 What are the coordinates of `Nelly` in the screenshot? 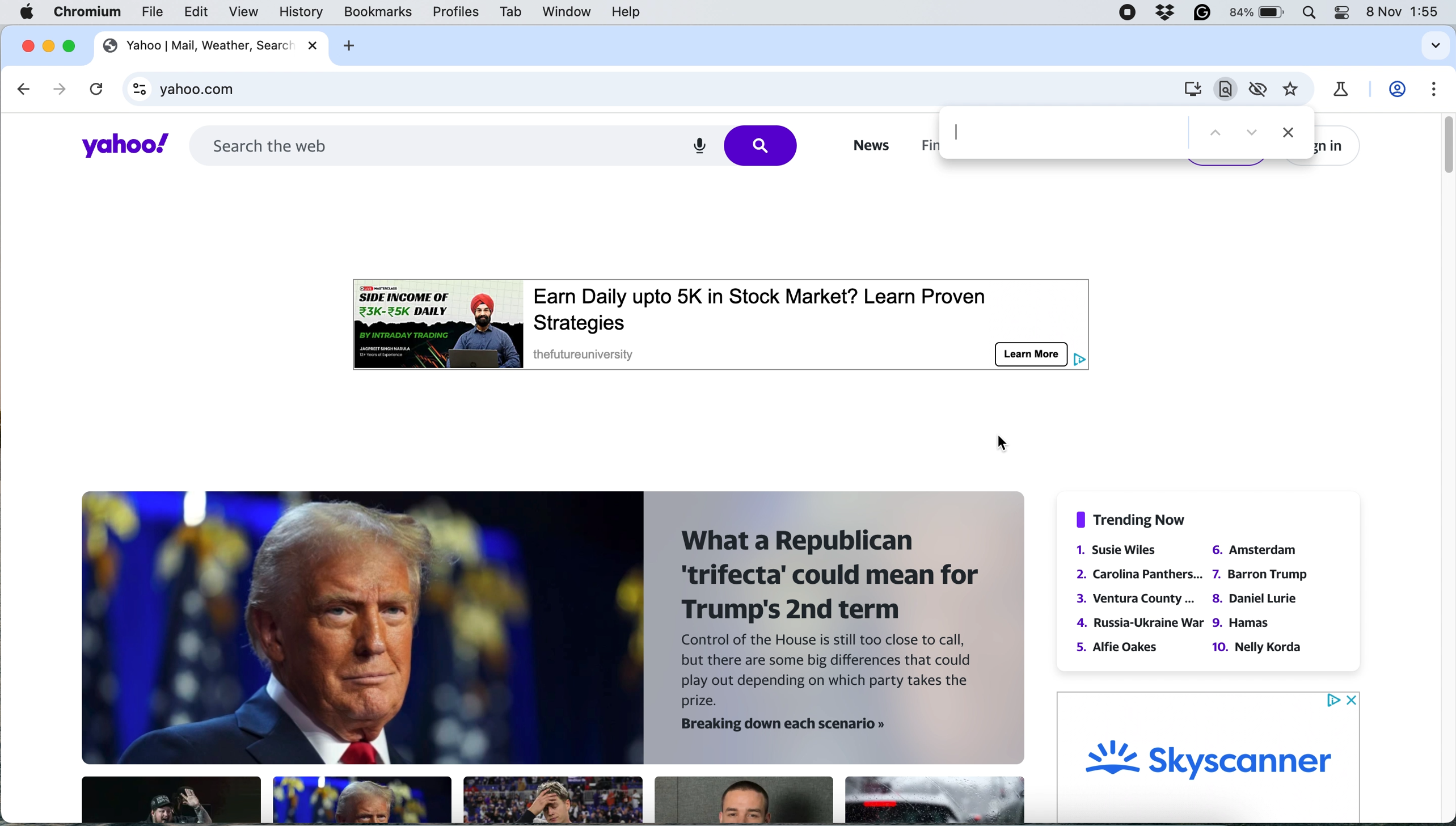 It's located at (1258, 646).